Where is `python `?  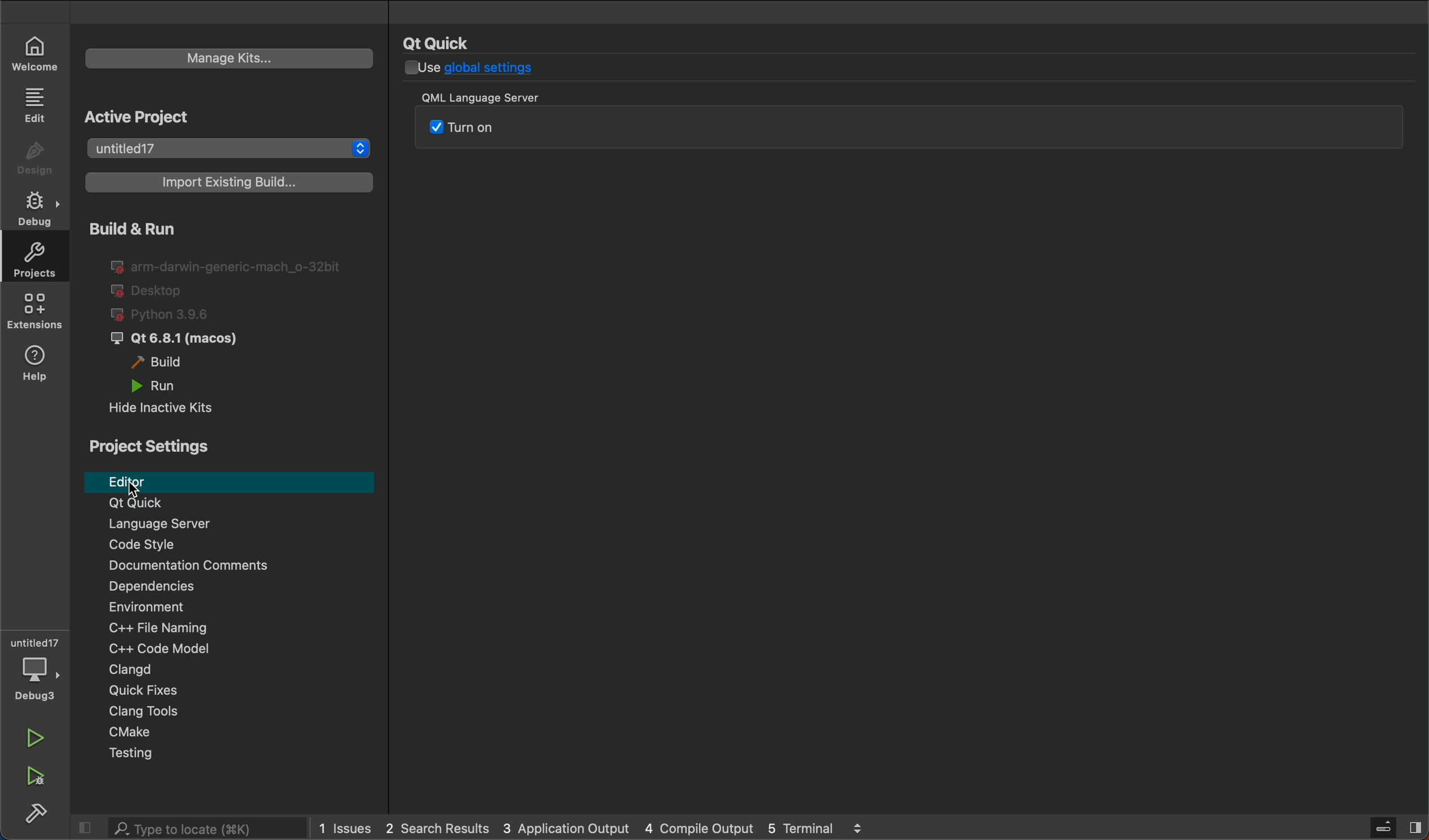 python  is located at coordinates (173, 313).